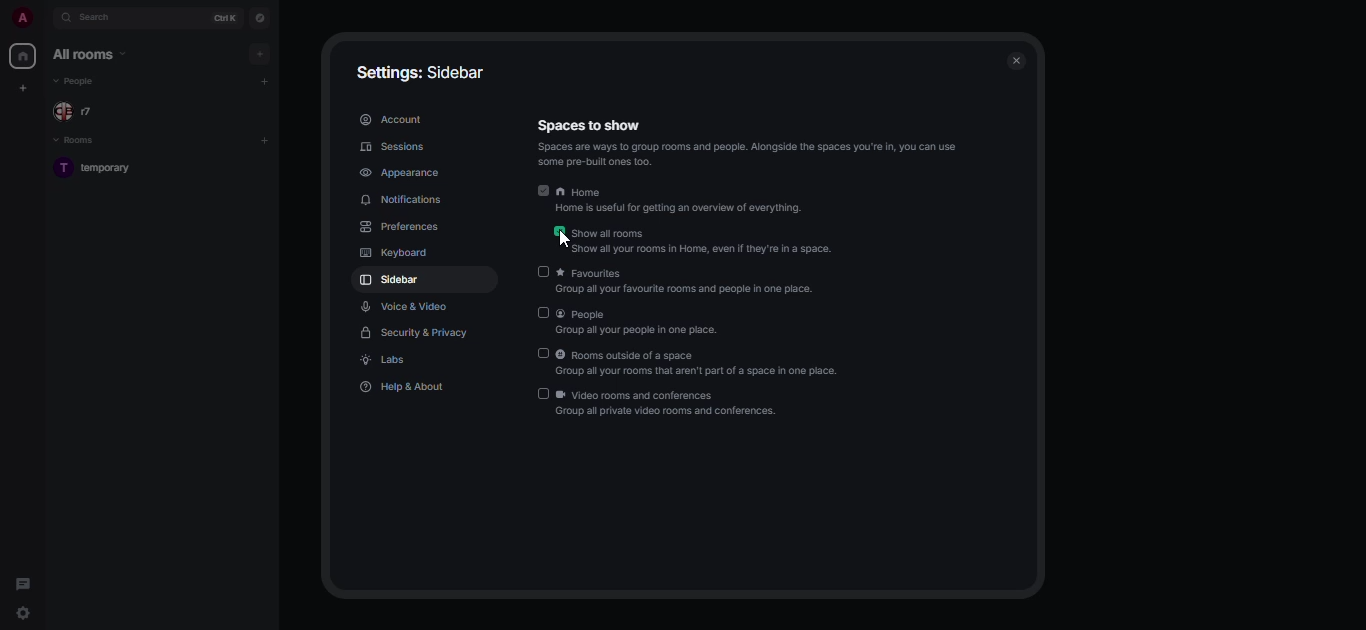 The width and height of the screenshot is (1366, 630). What do you see at coordinates (21, 19) in the screenshot?
I see `profile` at bounding box center [21, 19].